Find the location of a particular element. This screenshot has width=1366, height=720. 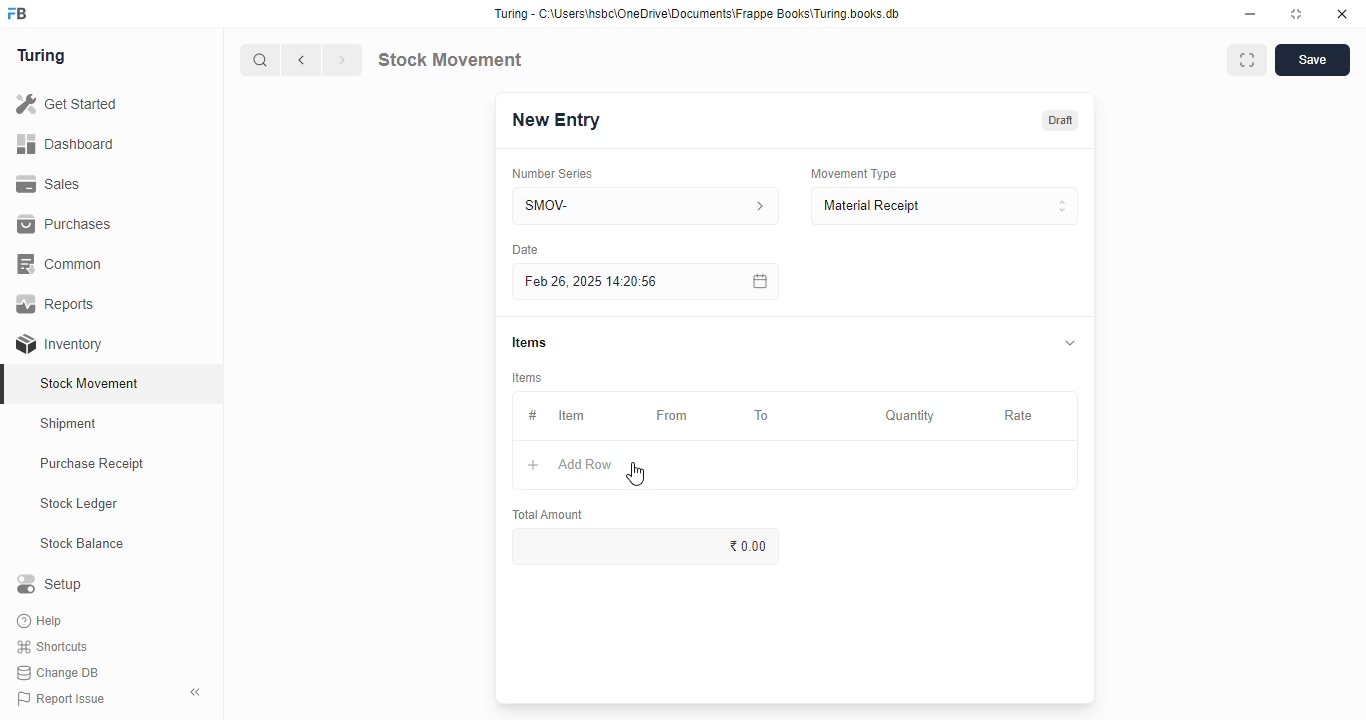

number series is located at coordinates (551, 174).